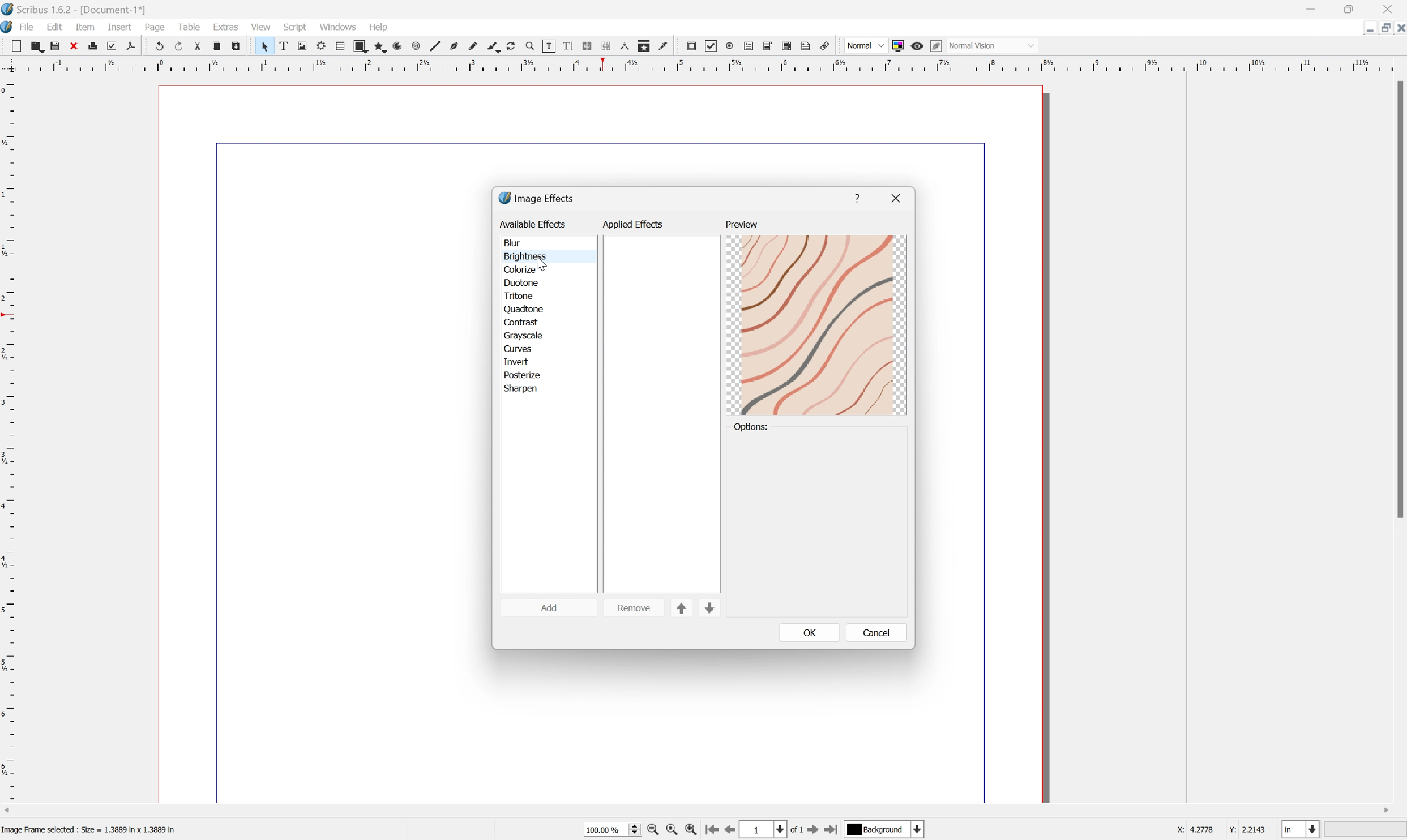 Image resolution: width=1407 pixels, height=840 pixels. Describe the element at coordinates (827, 44) in the screenshot. I see `Link annotation` at that location.